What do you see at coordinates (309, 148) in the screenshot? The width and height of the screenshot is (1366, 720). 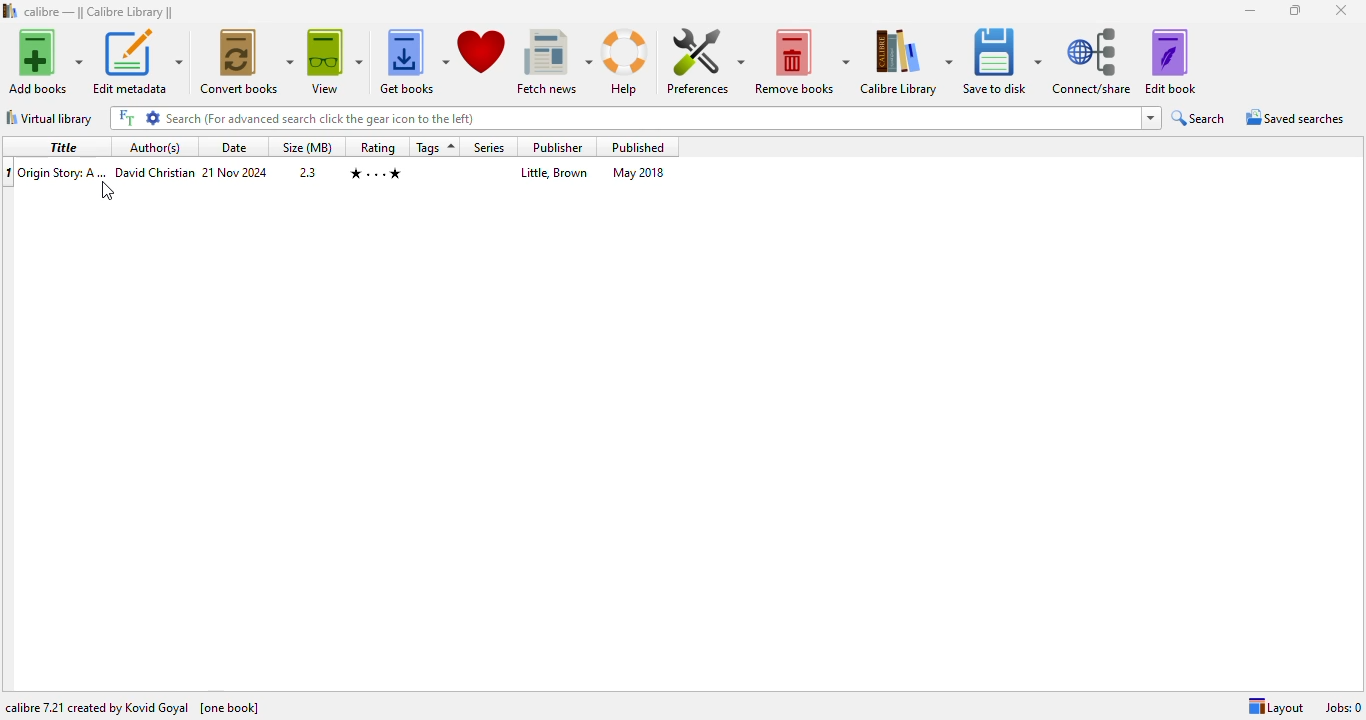 I see `size (MB)` at bounding box center [309, 148].